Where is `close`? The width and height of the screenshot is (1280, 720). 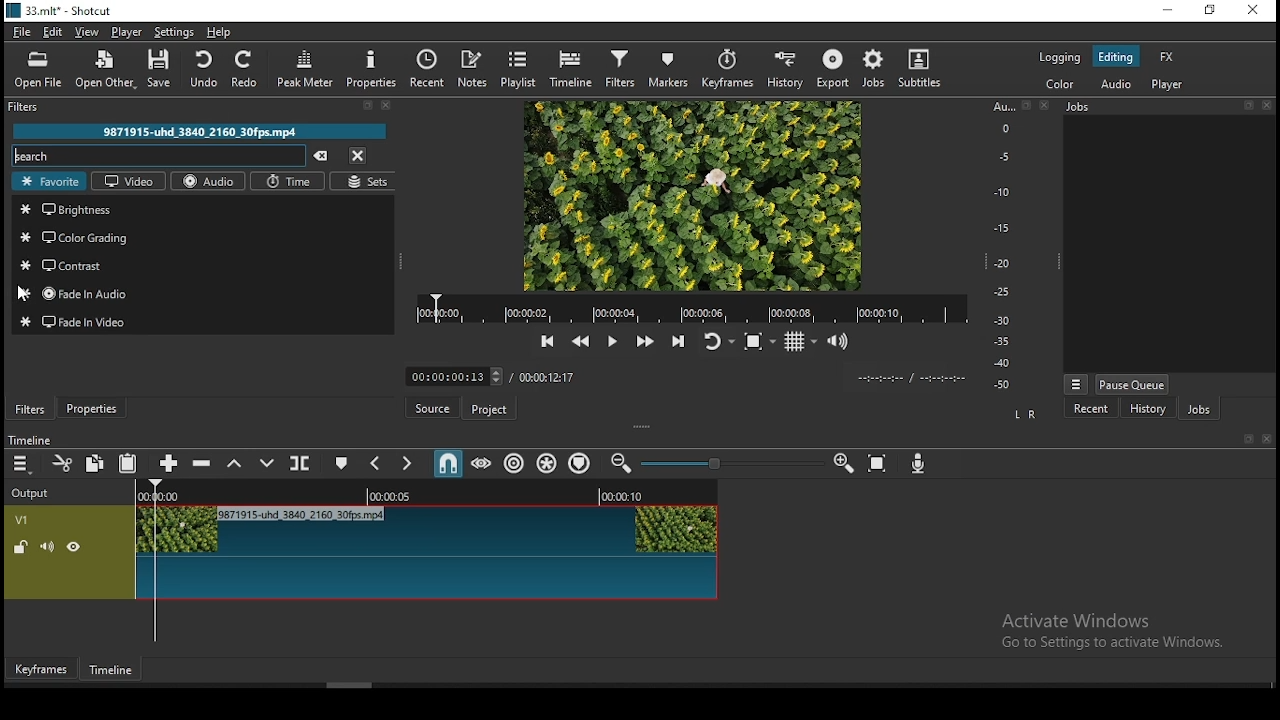
close is located at coordinates (1043, 105).